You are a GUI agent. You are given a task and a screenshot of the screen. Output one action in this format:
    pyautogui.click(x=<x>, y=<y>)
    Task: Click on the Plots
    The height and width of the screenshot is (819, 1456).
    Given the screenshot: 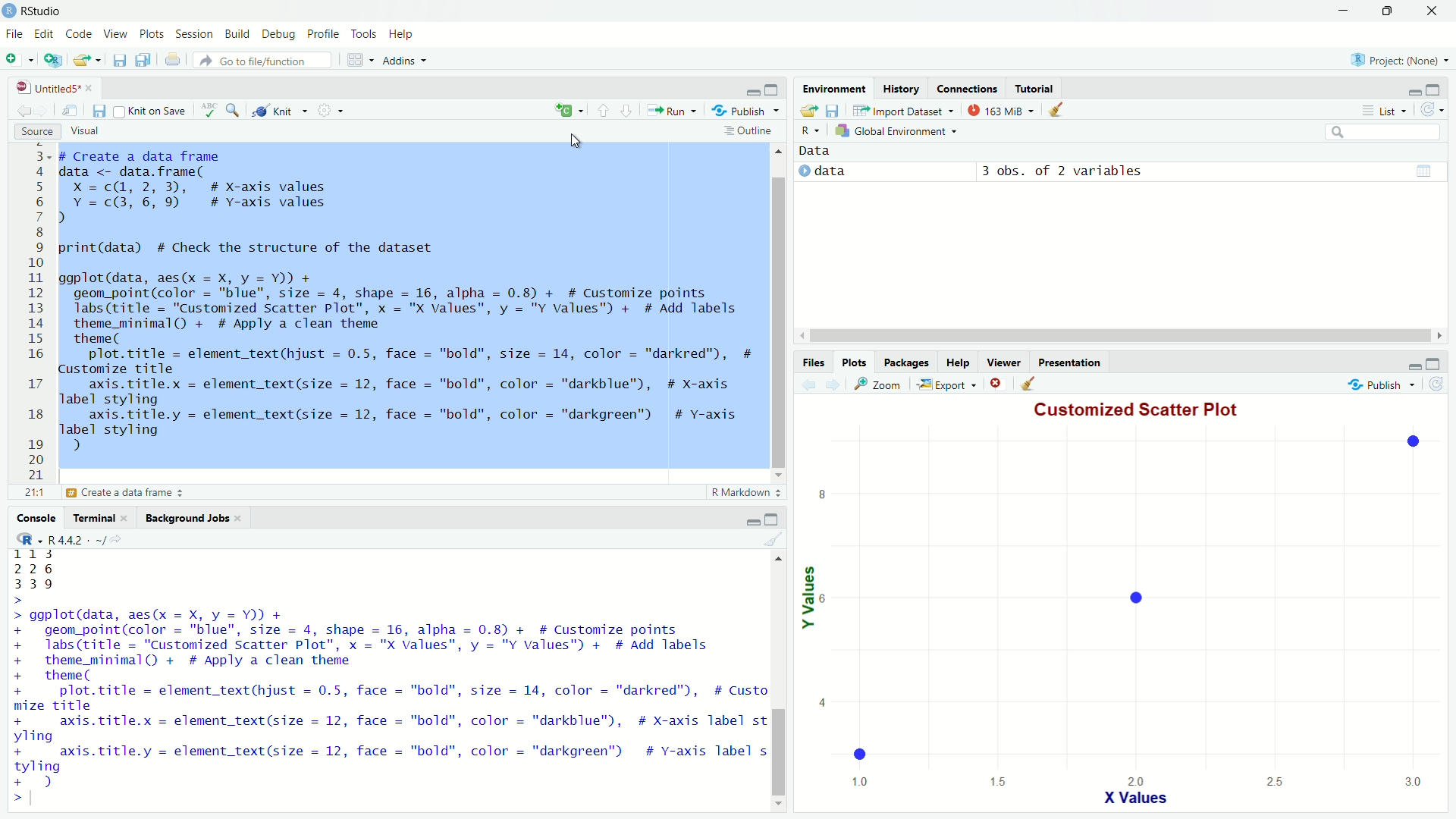 What is the action you would take?
    pyautogui.click(x=855, y=364)
    